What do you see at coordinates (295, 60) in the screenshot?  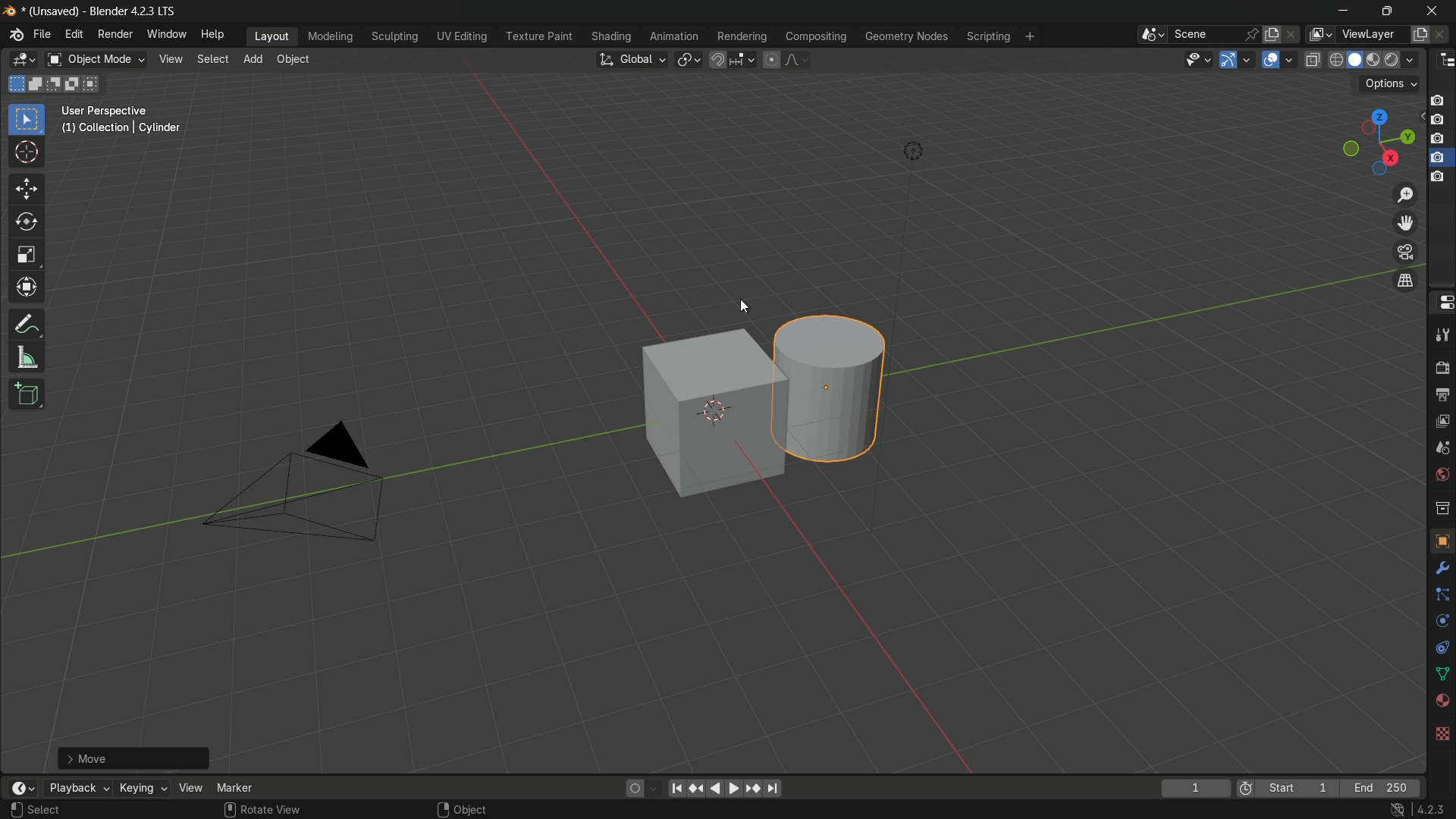 I see `object menu` at bounding box center [295, 60].